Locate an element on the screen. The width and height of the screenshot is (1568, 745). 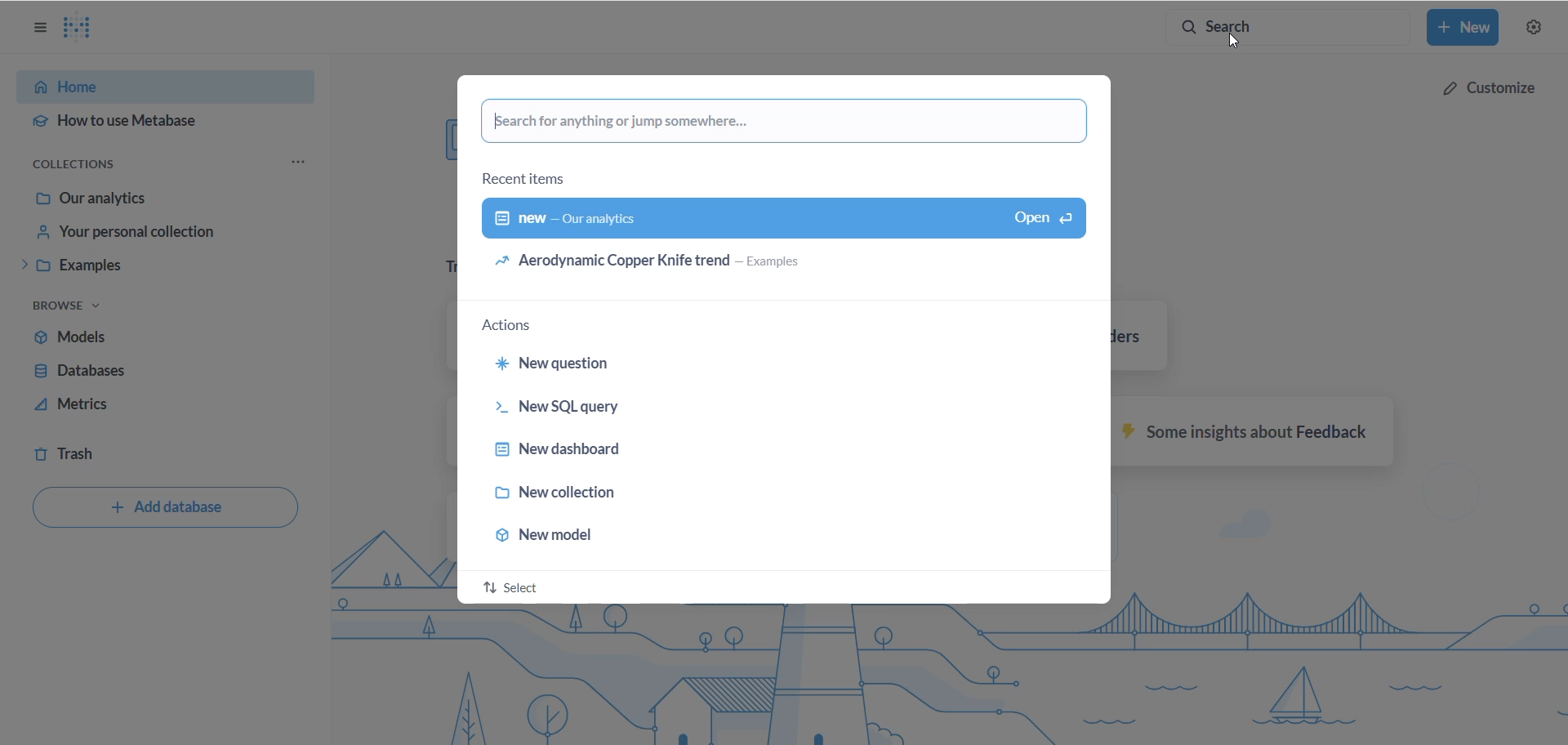
metrics is located at coordinates (101, 406).